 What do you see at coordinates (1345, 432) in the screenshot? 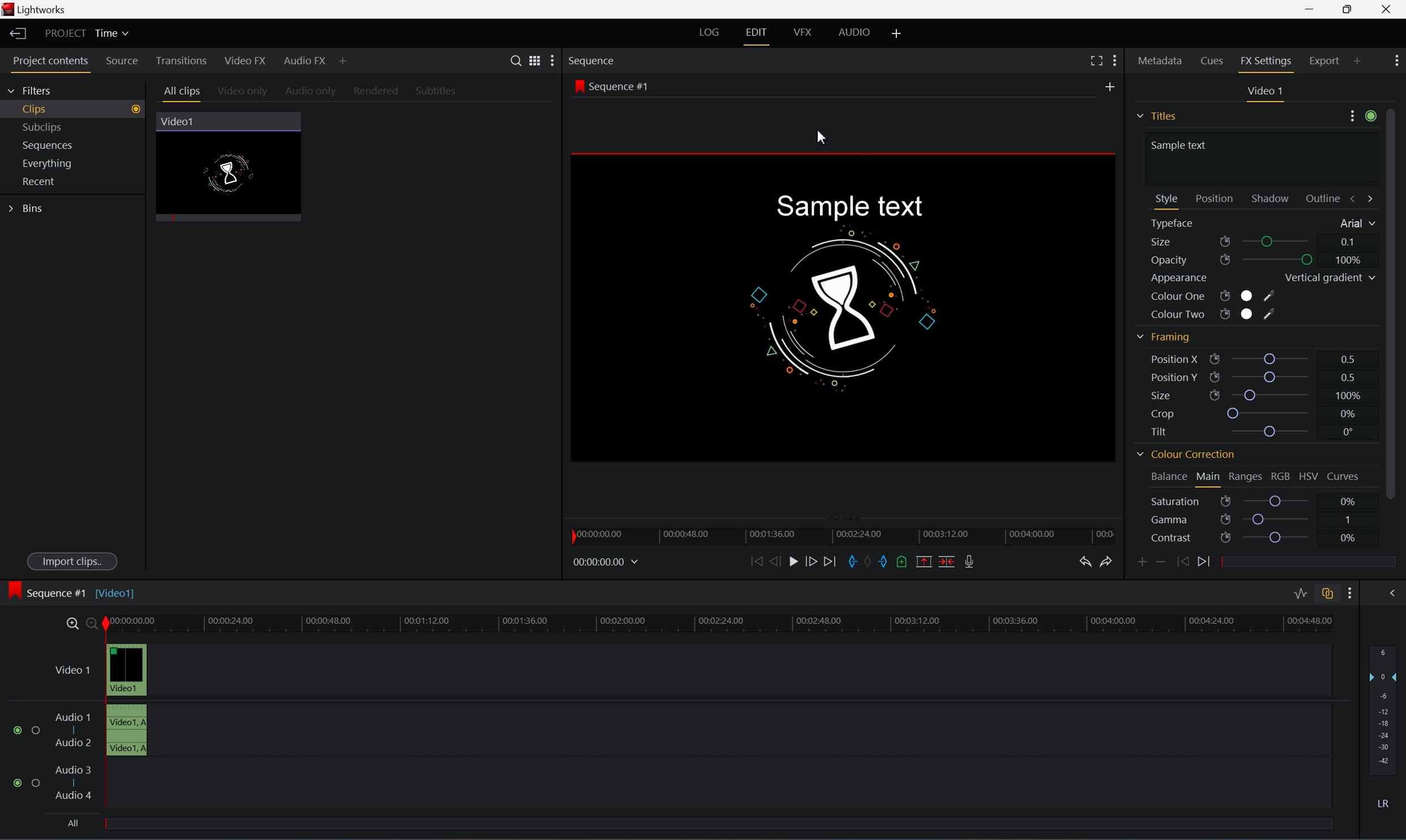
I see `0°` at bounding box center [1345, 432].